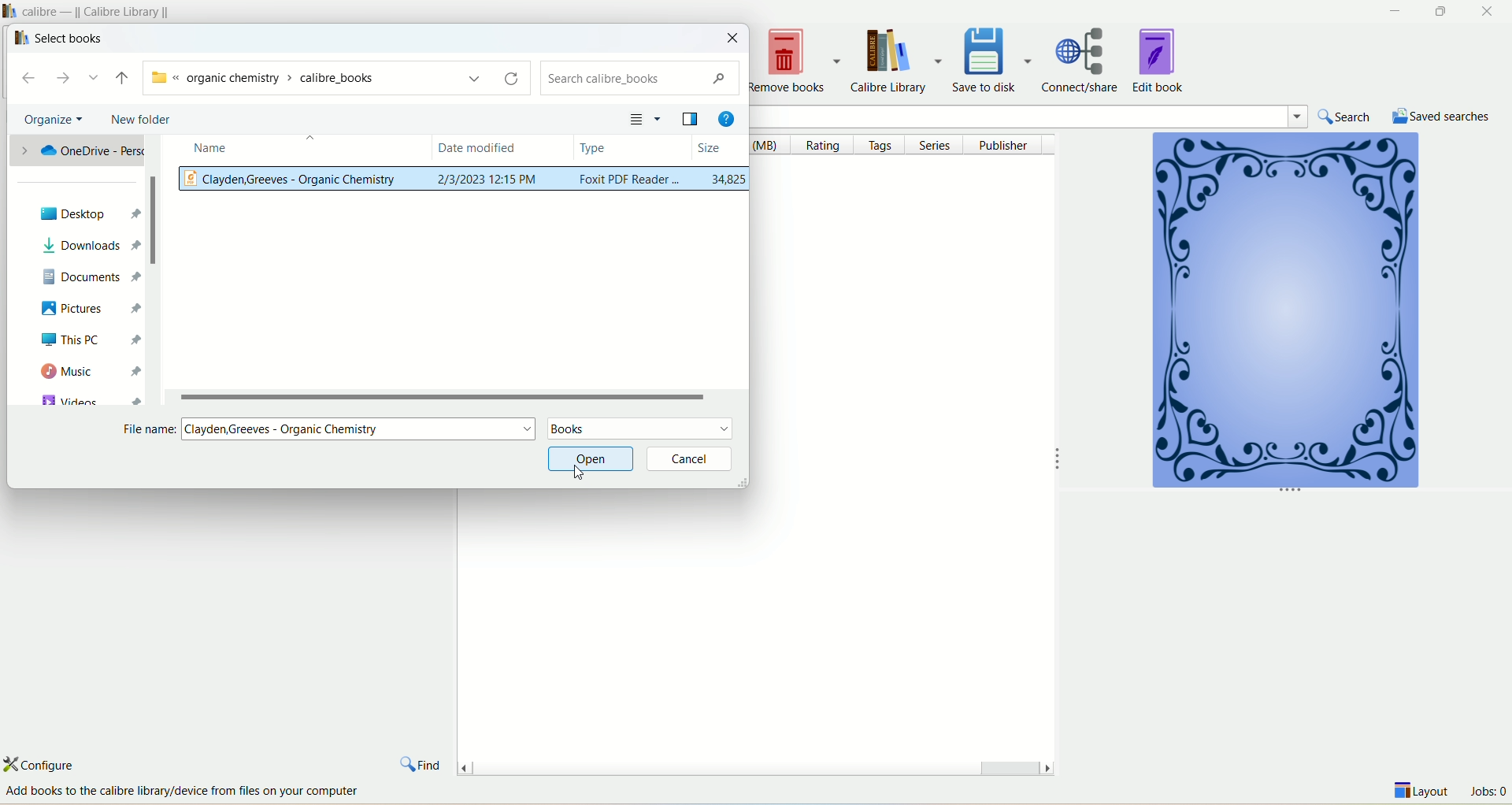 This screenshot has width=1512, height=805. I want to click on cursor, so click(577, 473).